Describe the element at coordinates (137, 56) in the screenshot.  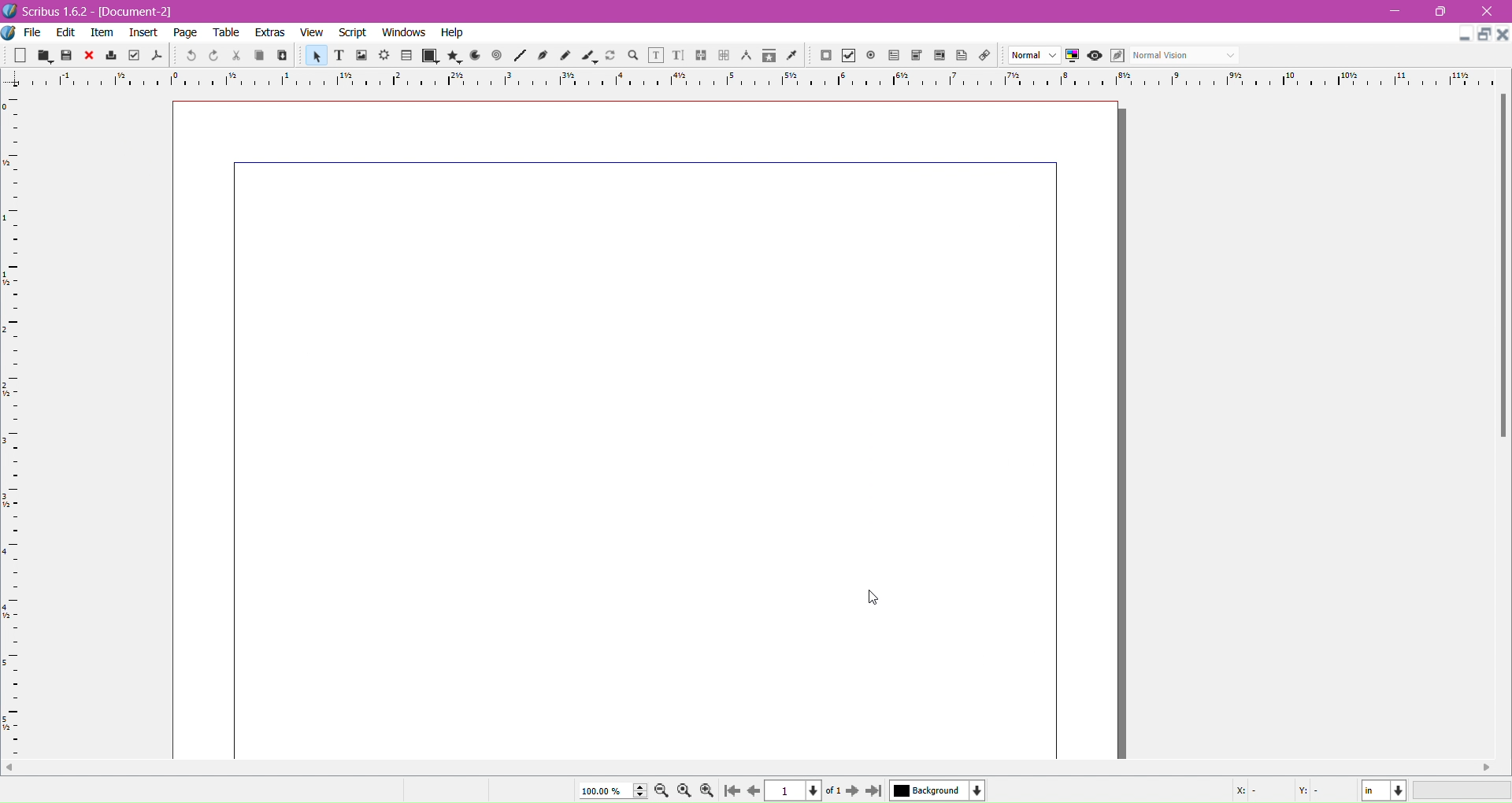
I see `` at that location.